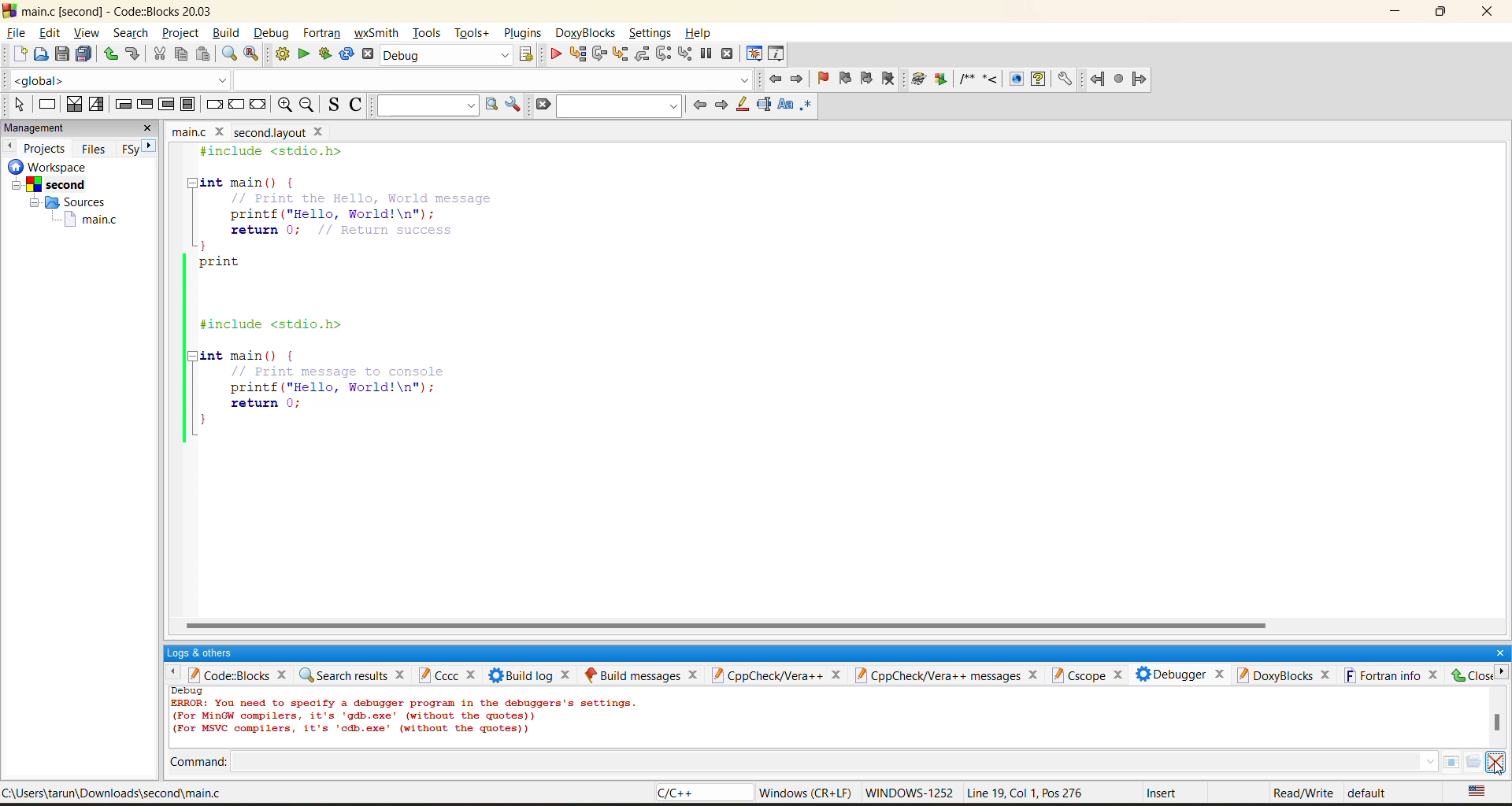 The height and width of the screenshot is (806, 1512). Describe the element at coordinates (1285, 677) in the screenshot. I see `doxyblocks` at that location.